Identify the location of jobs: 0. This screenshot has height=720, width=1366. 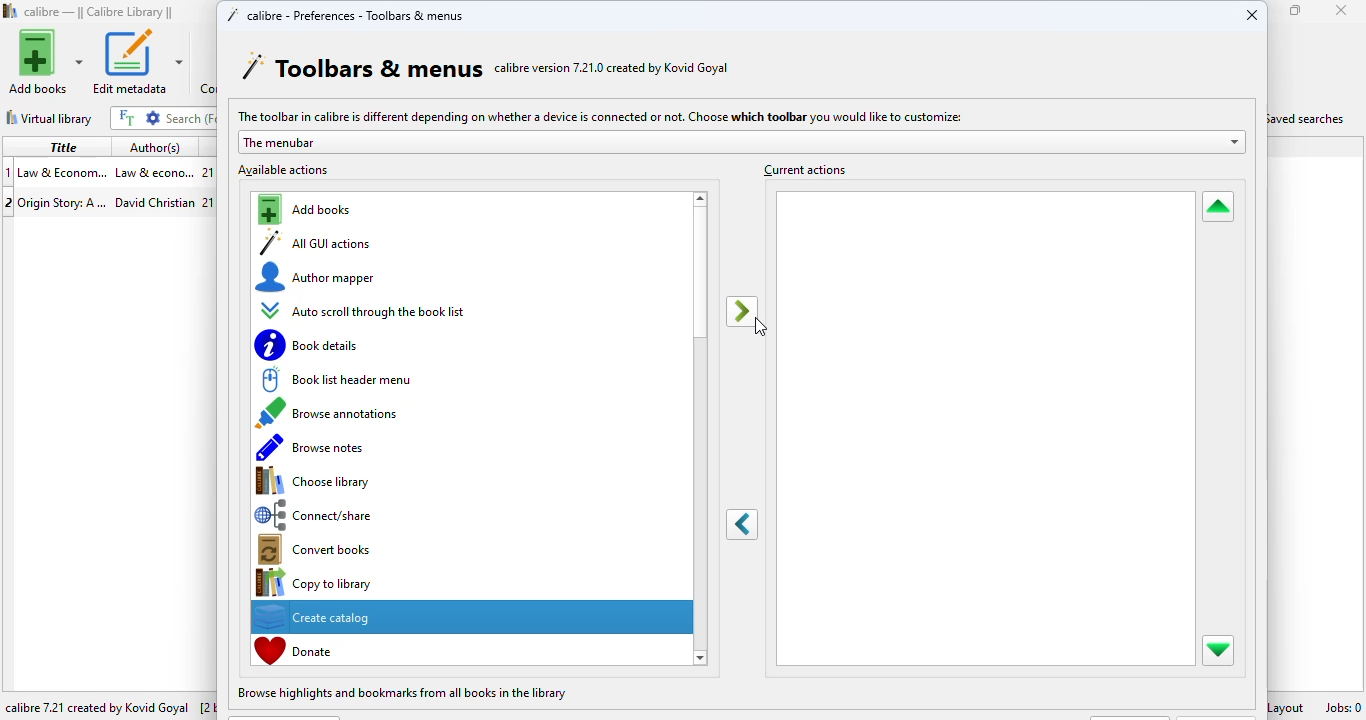
(1343, 707).